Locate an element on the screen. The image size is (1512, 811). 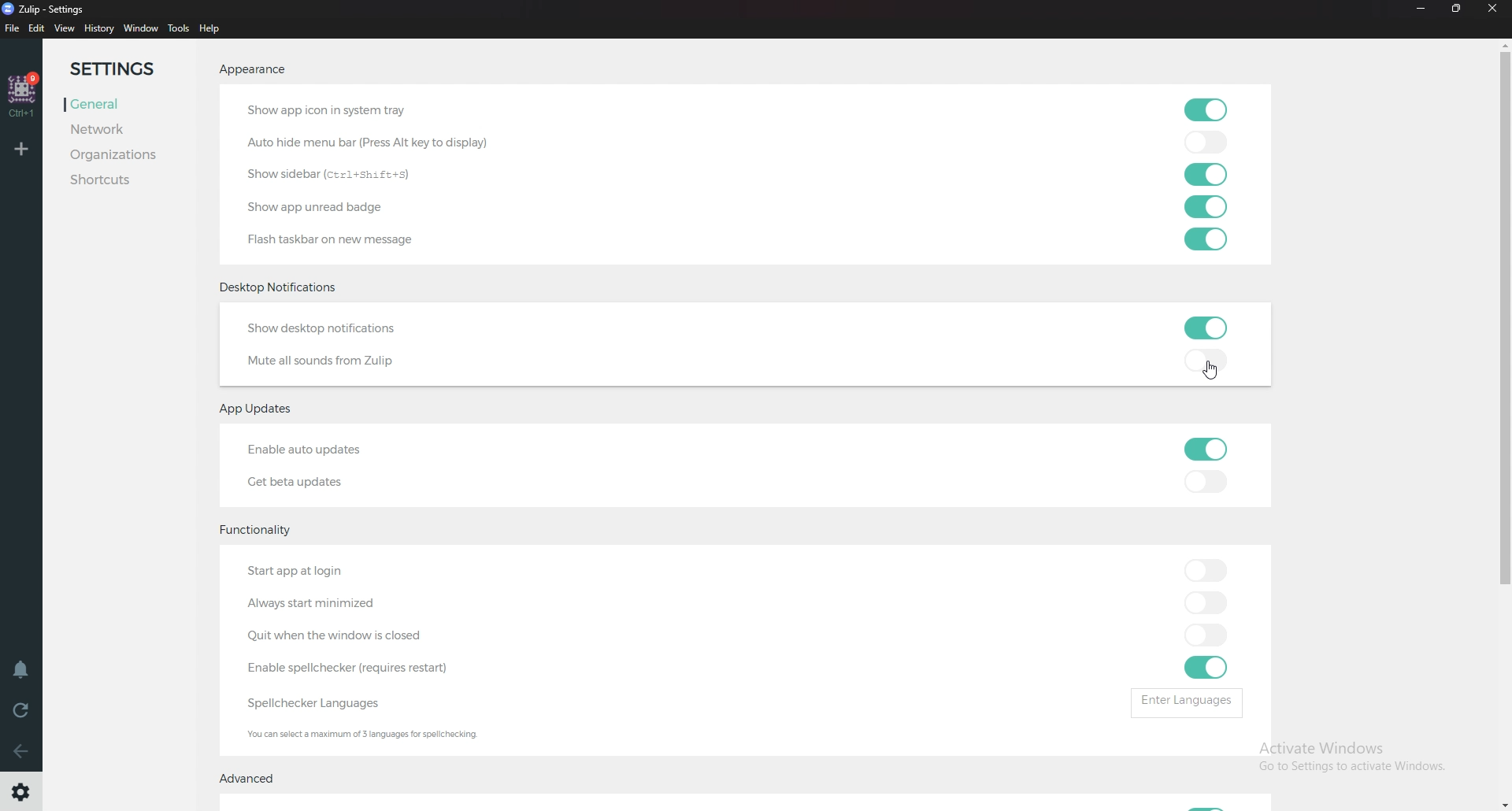
Tools is located at coordinates (179, 28).